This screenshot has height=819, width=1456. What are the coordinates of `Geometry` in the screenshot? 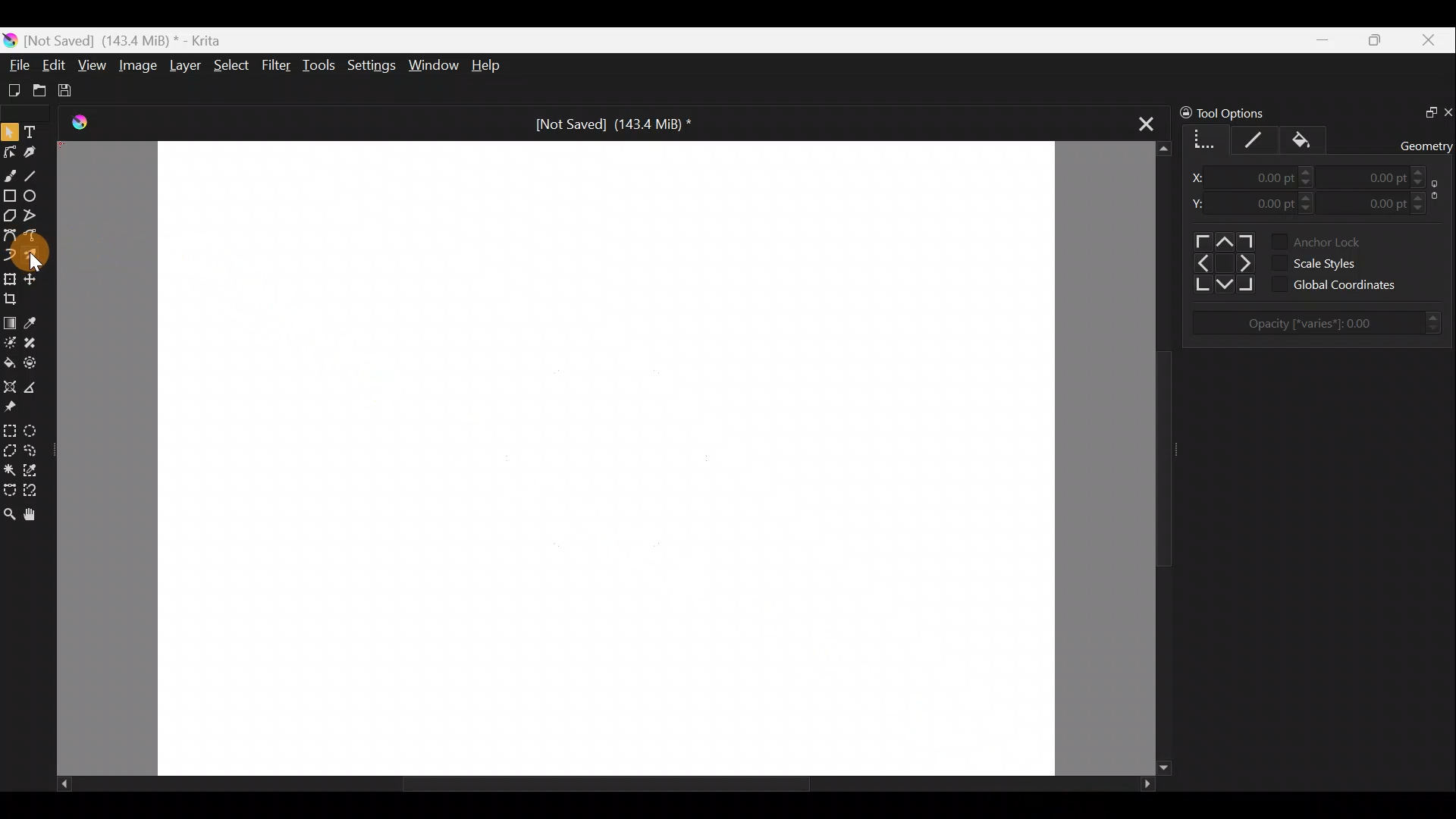 It's located at (1427, 144).